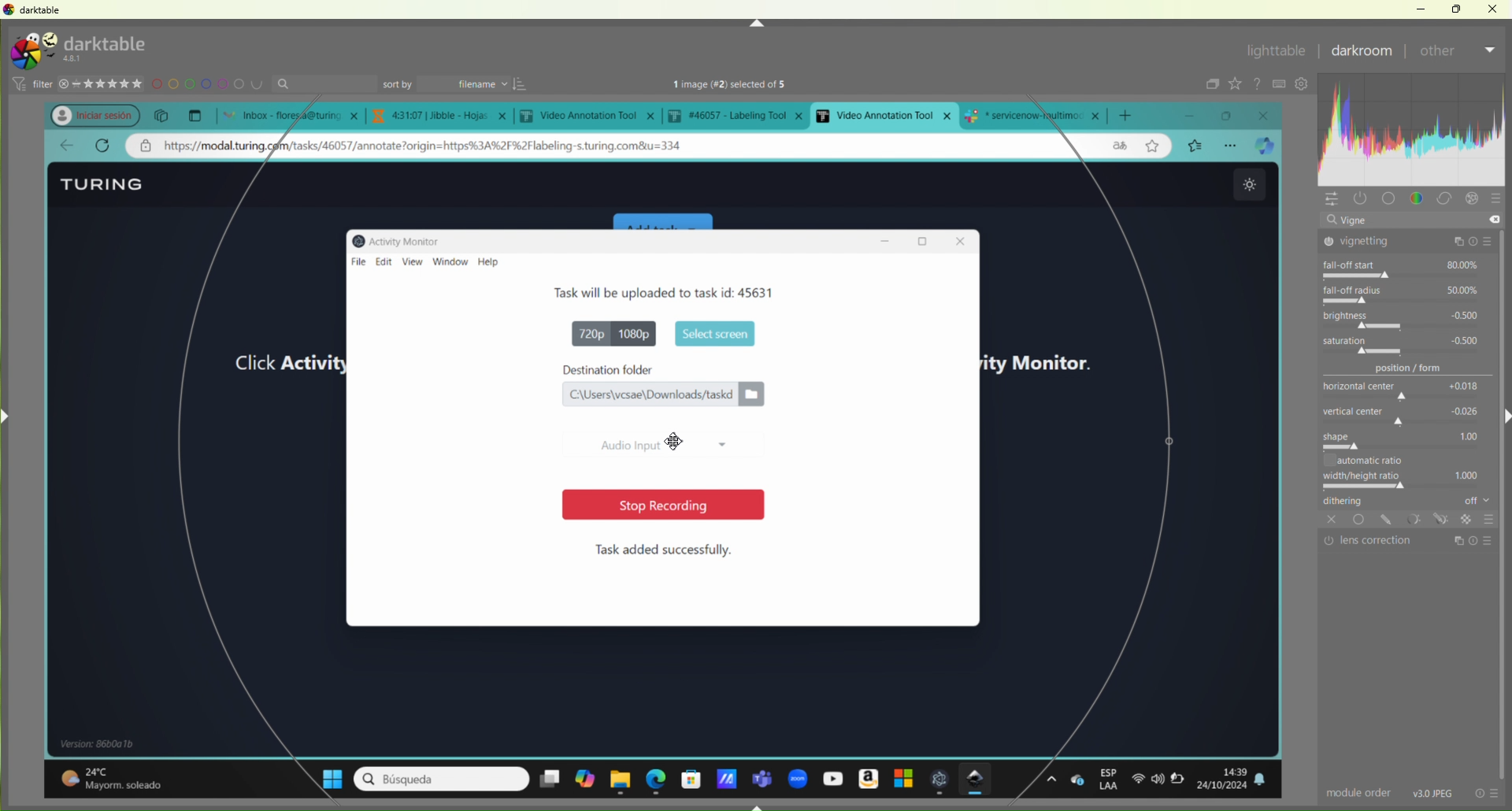 The image size is (1512, 811). I want to click on 720p, so click(584, 332).